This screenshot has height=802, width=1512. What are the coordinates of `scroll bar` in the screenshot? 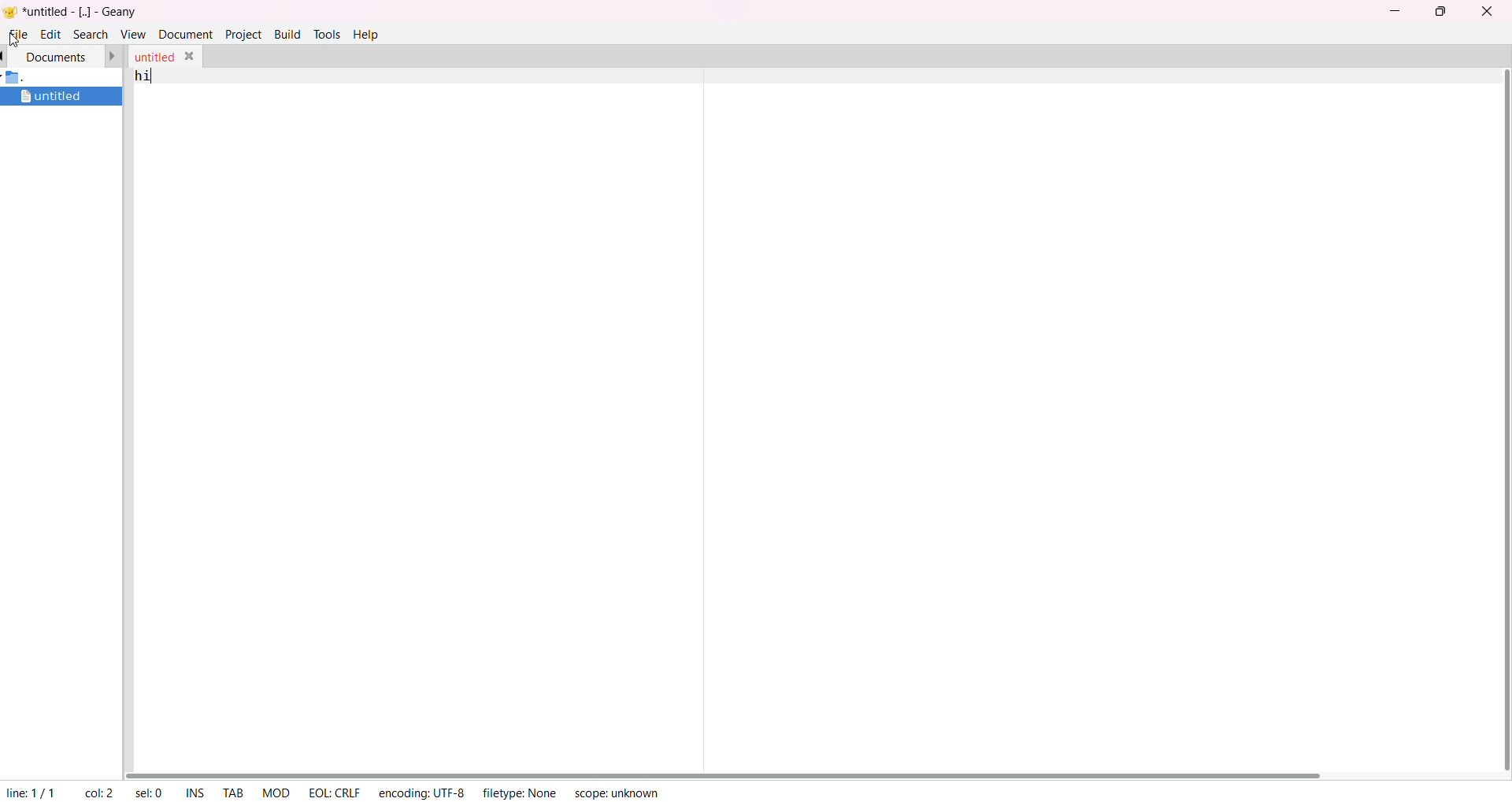 It's located at (736, 770).